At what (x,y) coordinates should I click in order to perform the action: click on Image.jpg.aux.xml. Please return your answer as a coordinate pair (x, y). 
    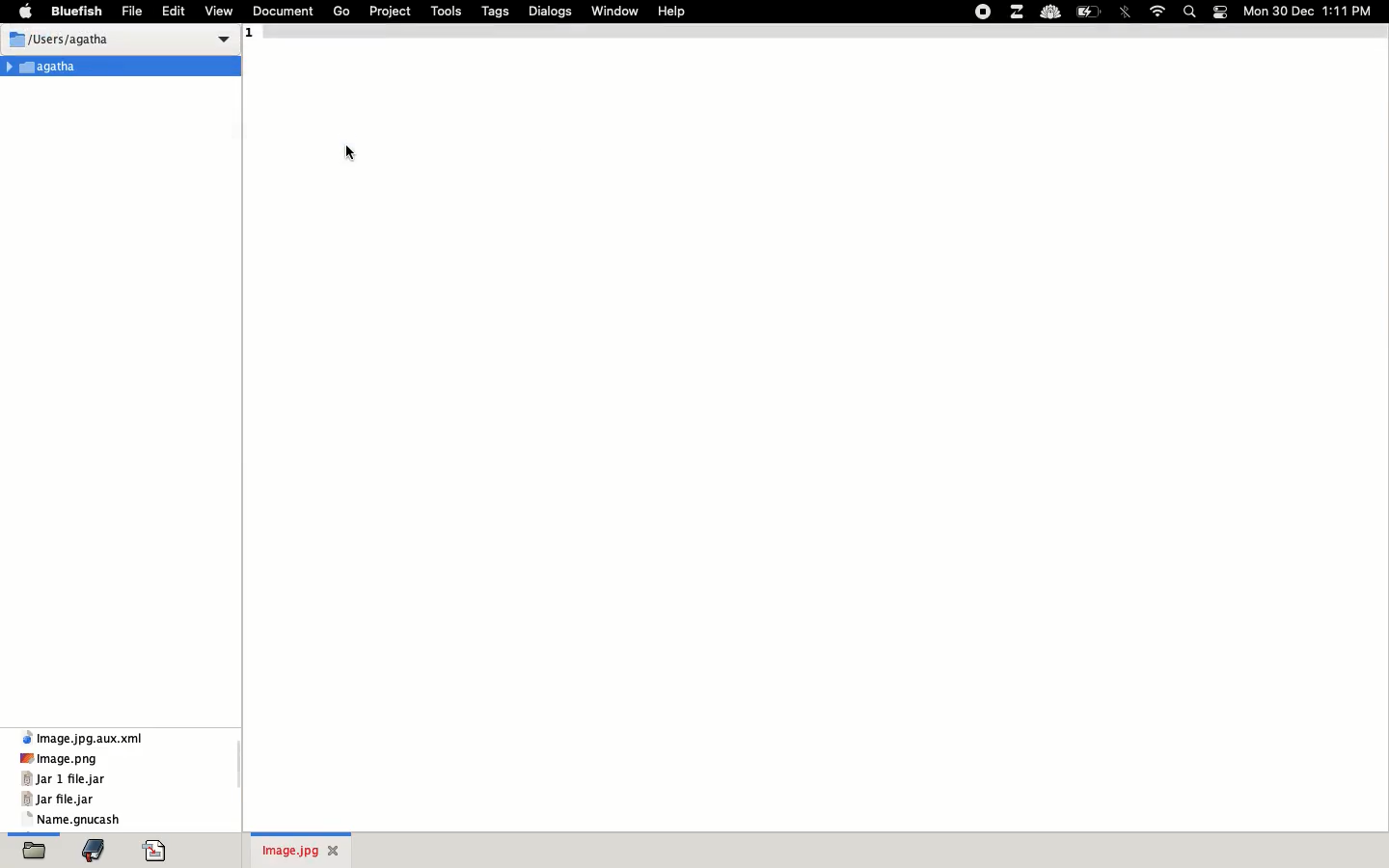
    Looking at the image, I should click on (87, 738).